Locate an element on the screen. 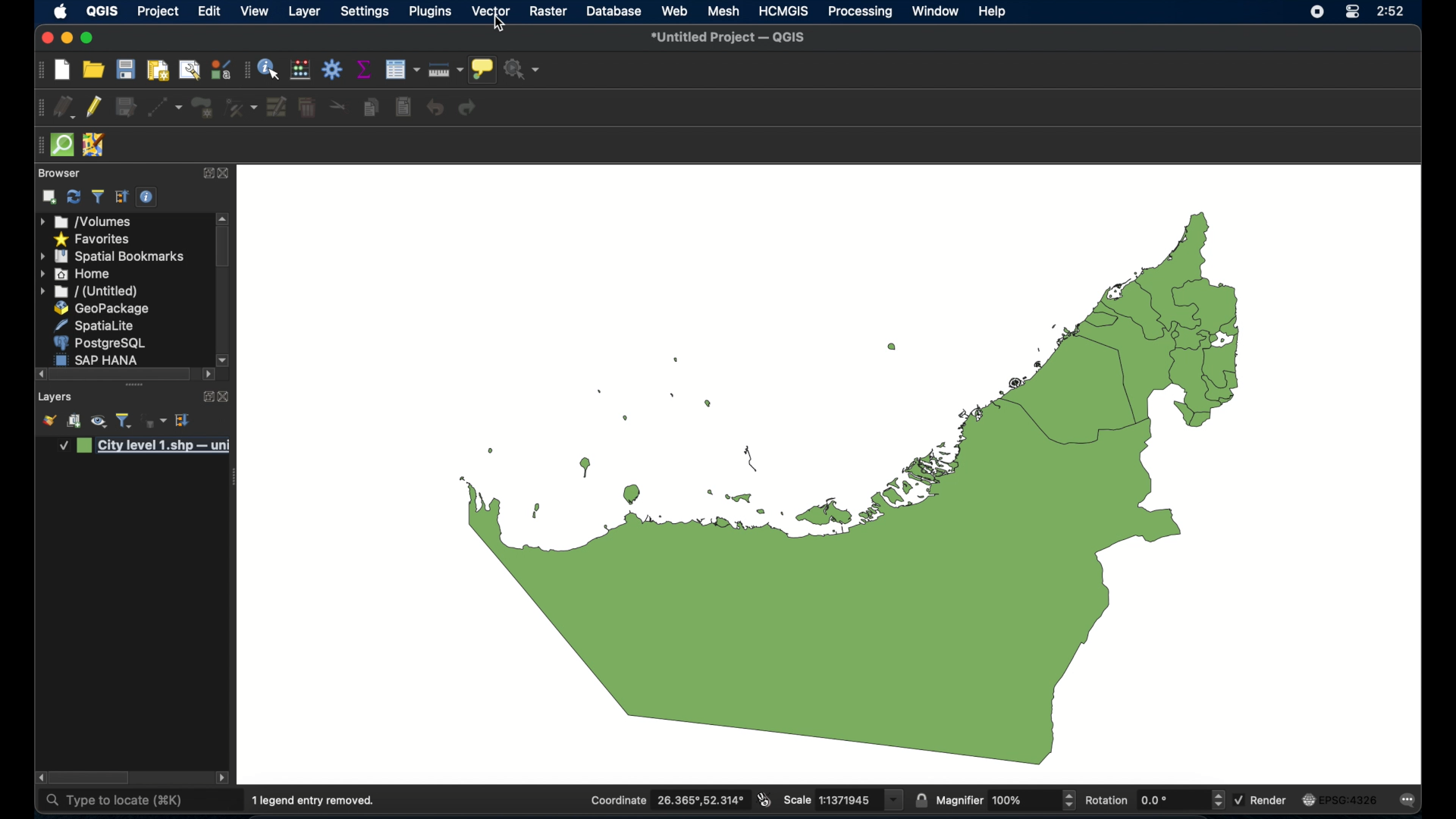  1 legend entry removed is located at coordinates (315, 801).